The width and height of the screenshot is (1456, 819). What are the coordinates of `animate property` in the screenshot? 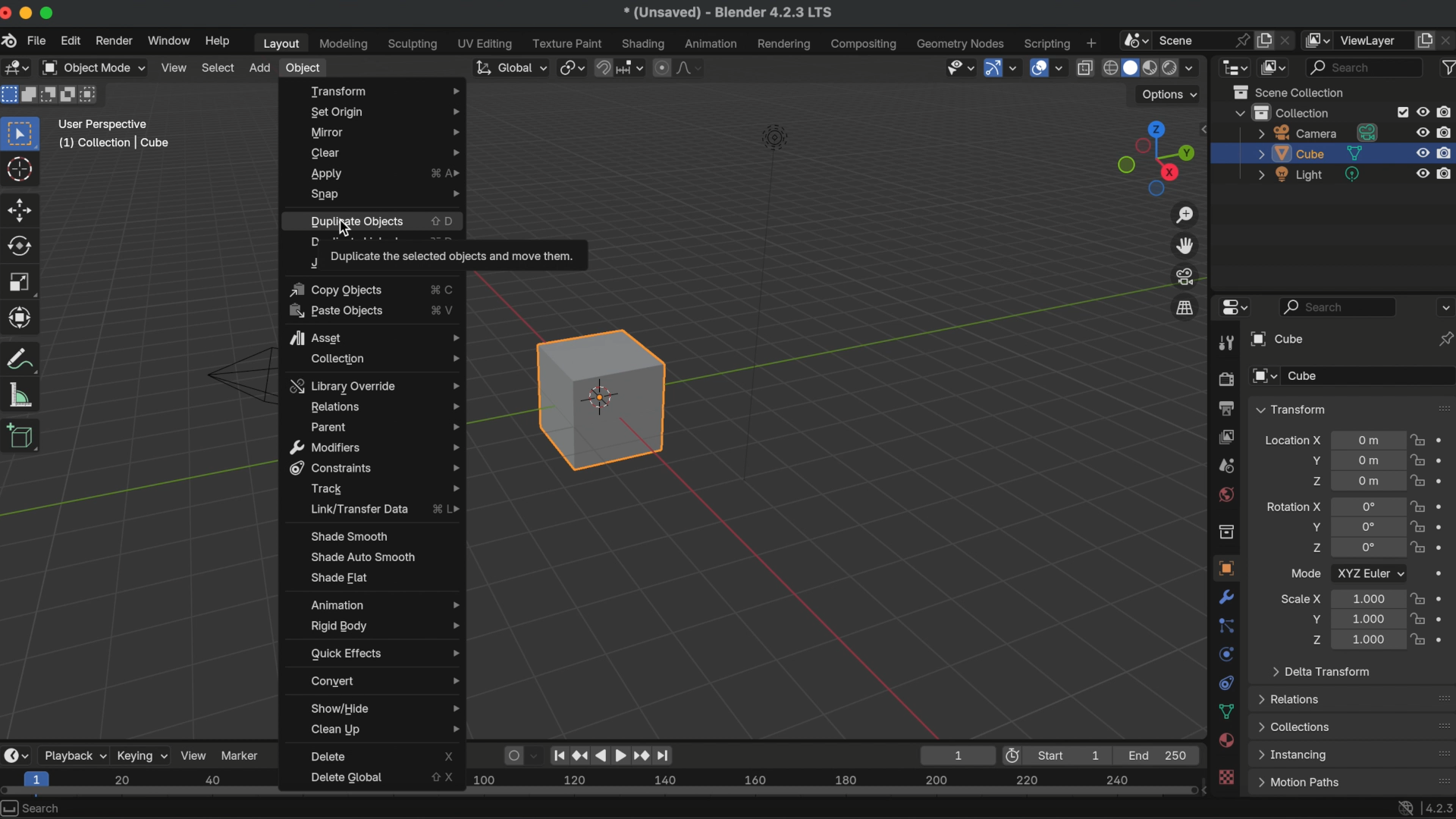 It's located at (1444, 638).